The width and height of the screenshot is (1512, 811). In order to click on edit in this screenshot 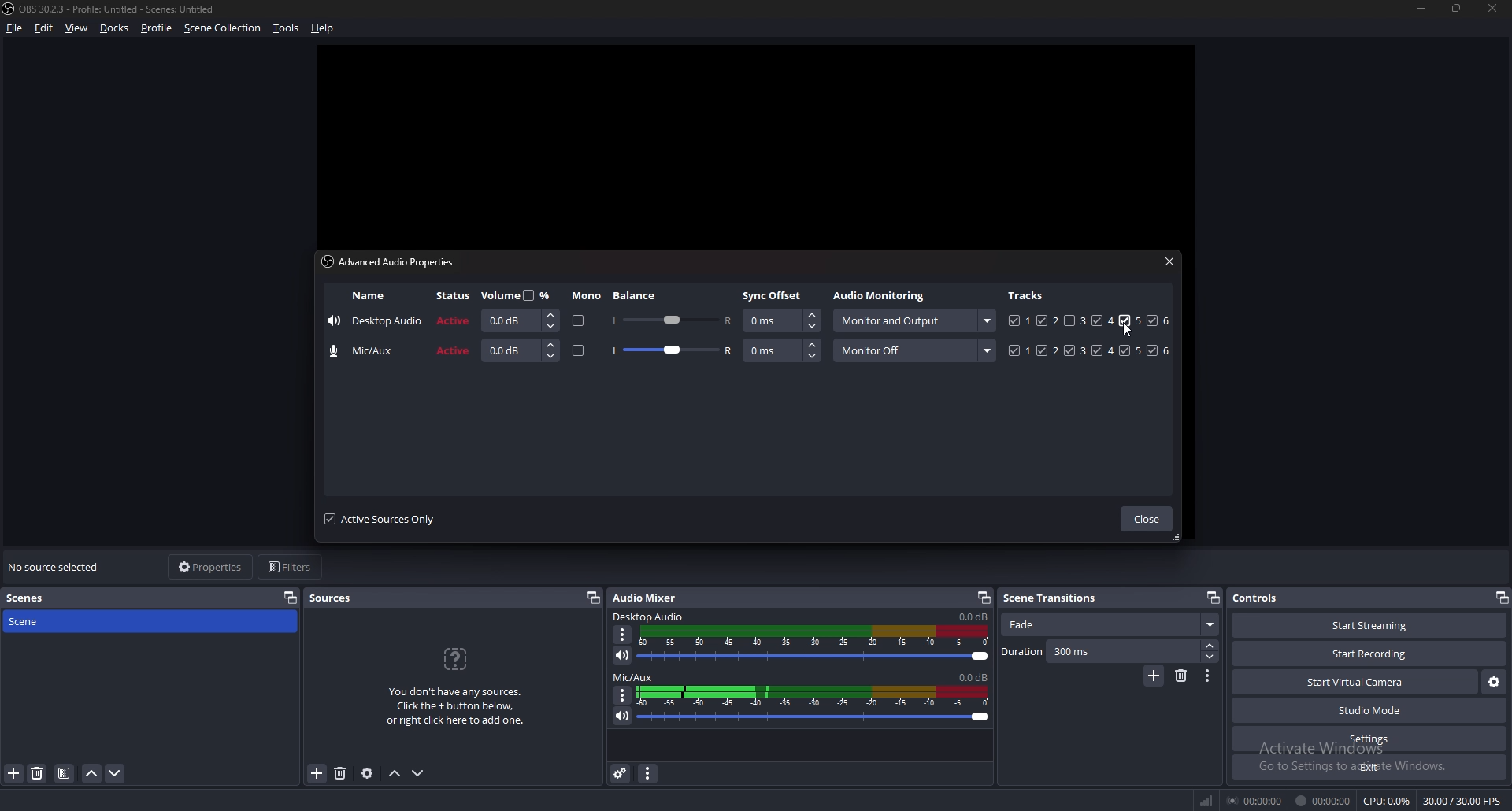, I will do `click(43, 28)`.